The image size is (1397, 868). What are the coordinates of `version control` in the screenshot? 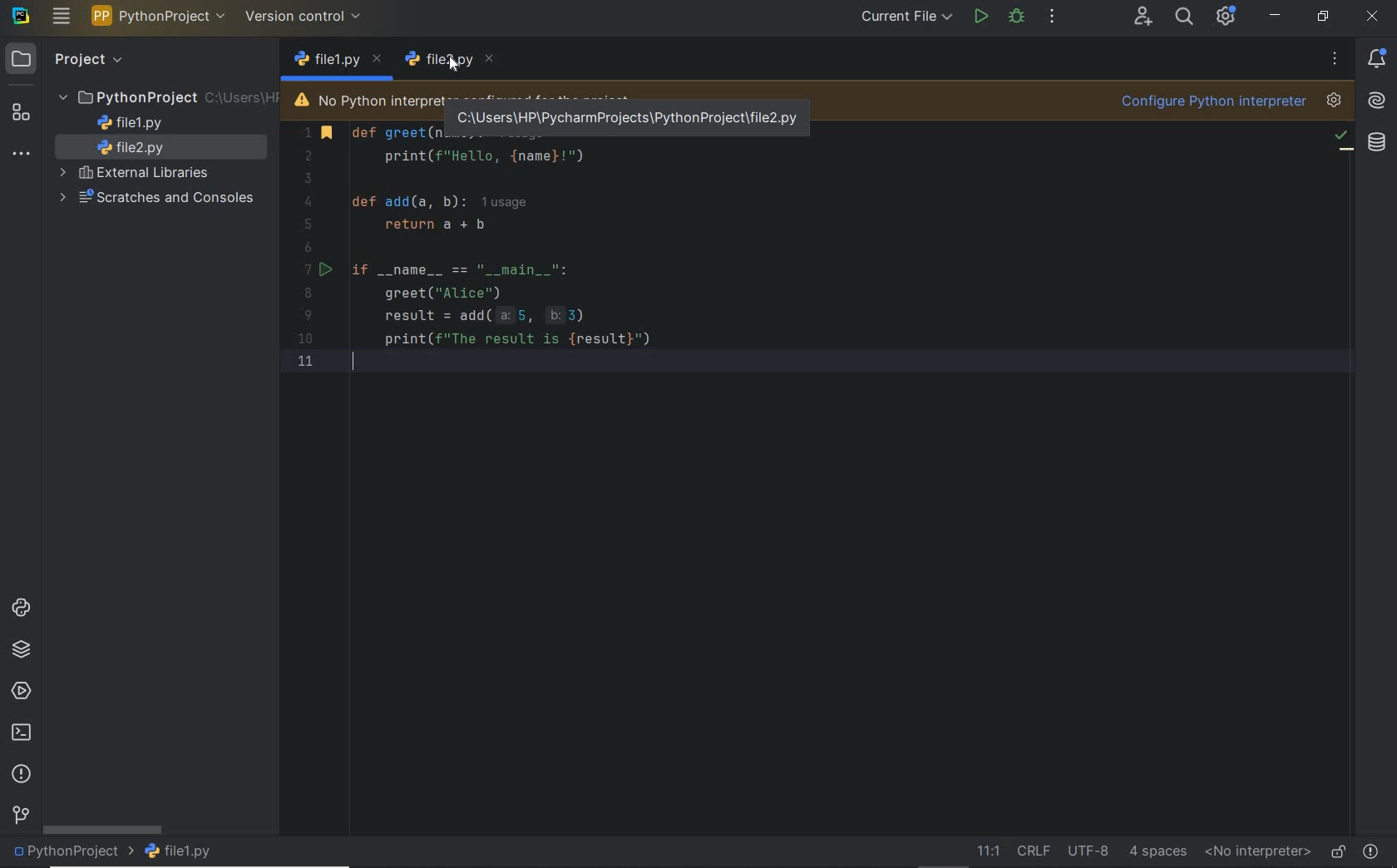 It's located at (306, 18).